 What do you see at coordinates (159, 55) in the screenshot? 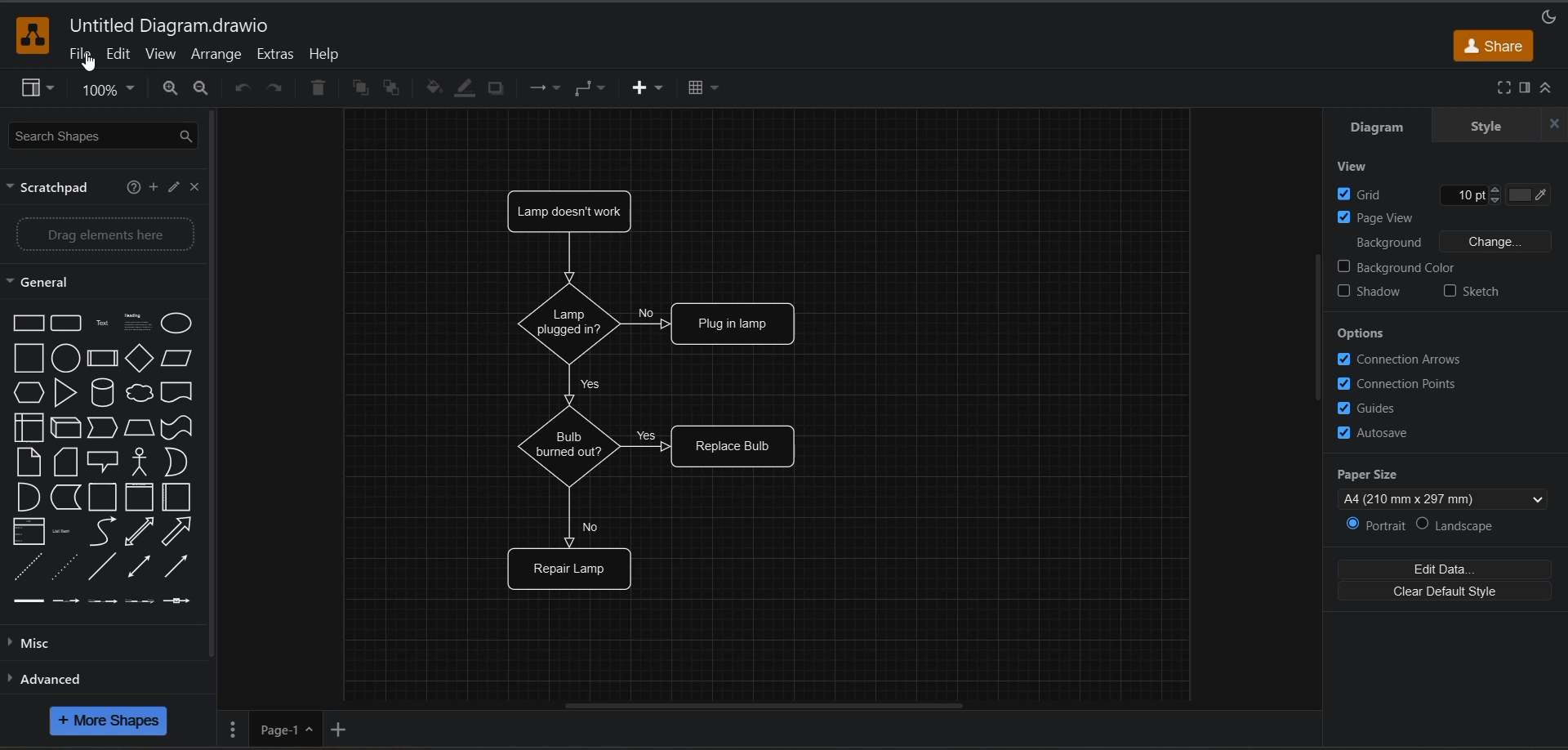
I see `view` at bounding box center [159, 55].